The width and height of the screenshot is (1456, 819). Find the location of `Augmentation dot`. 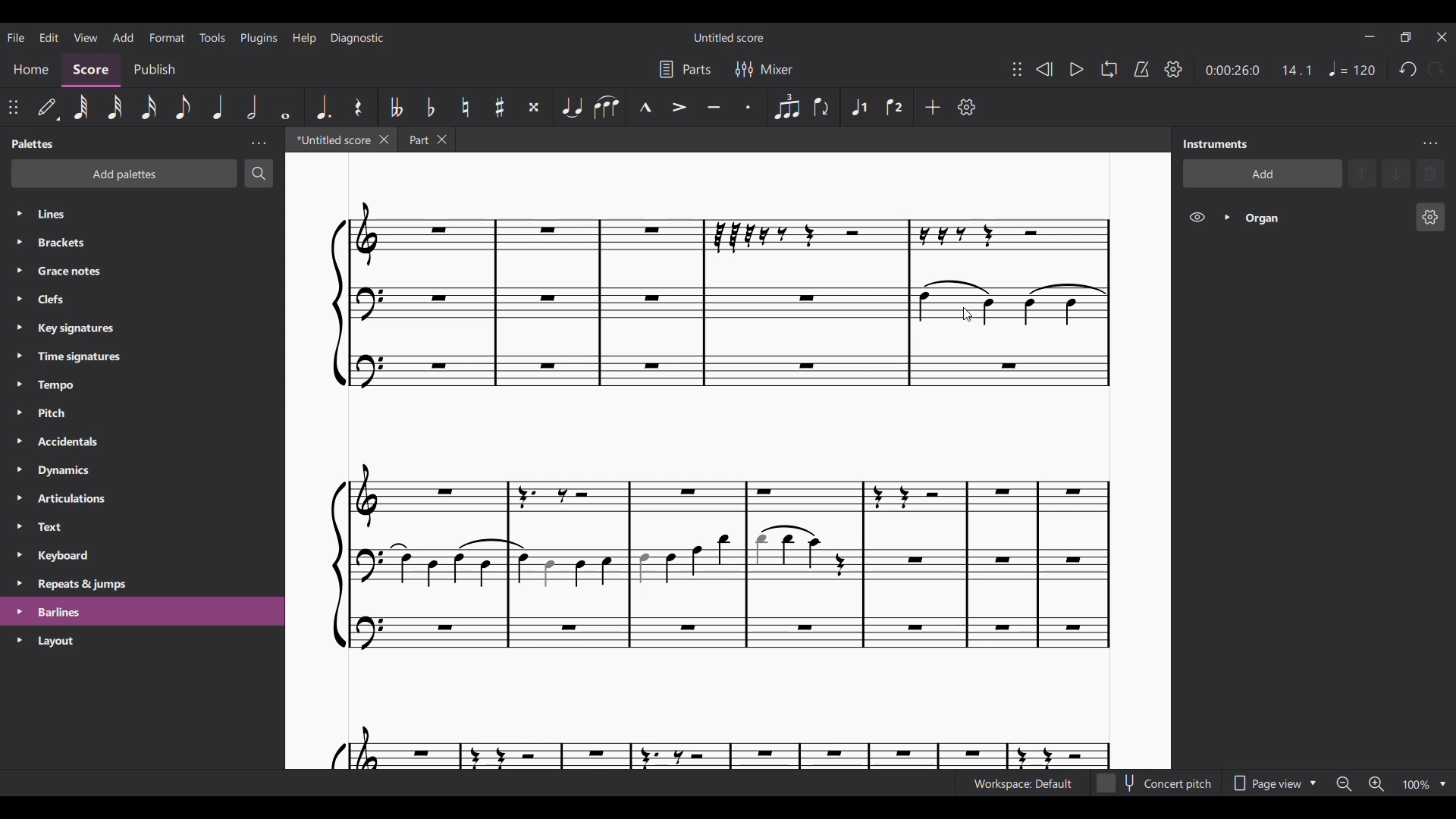

Augmentation dot is located at coordinates (323, 106).